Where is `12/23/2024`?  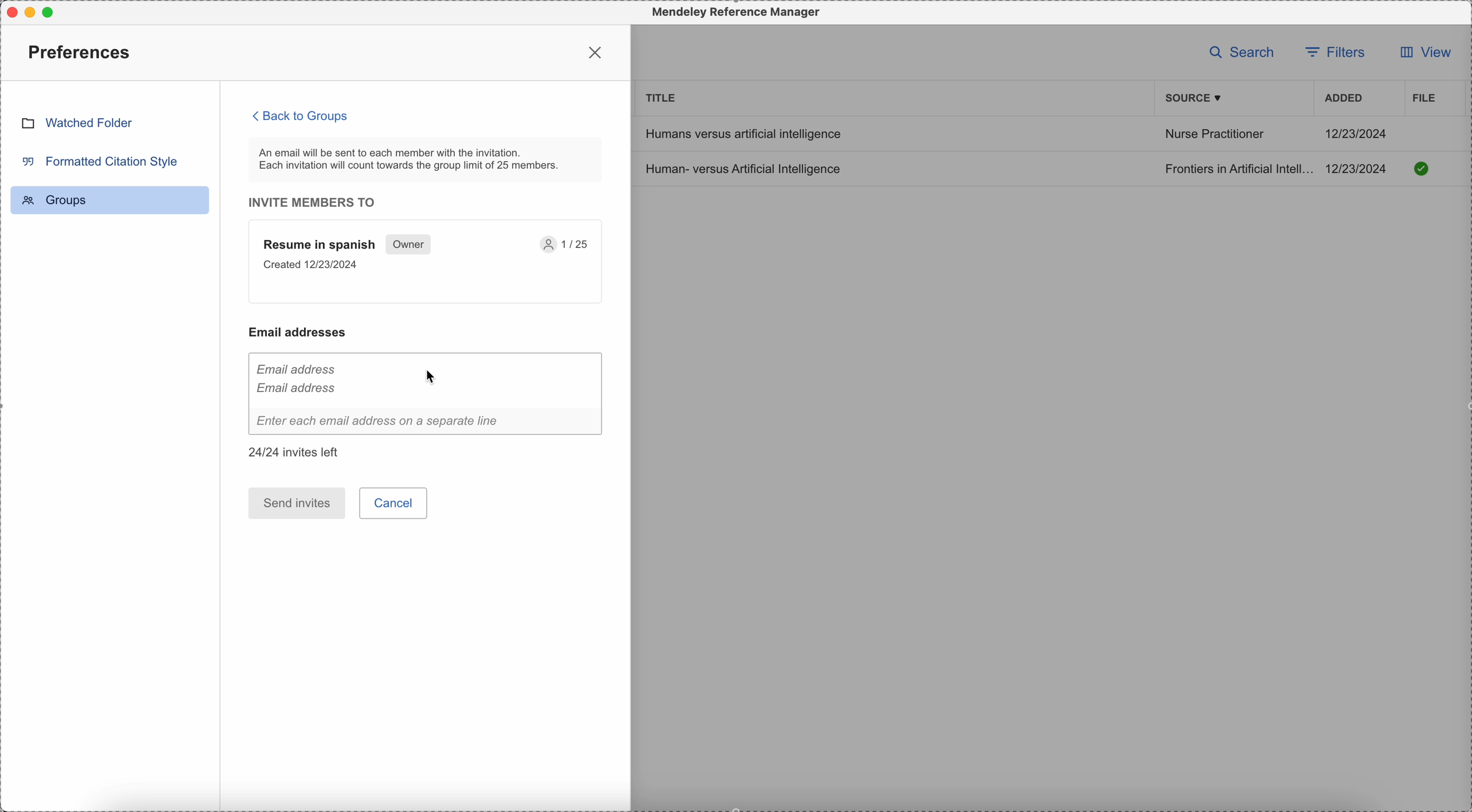
12/23/2024 is located at coordinates (1360, 169).